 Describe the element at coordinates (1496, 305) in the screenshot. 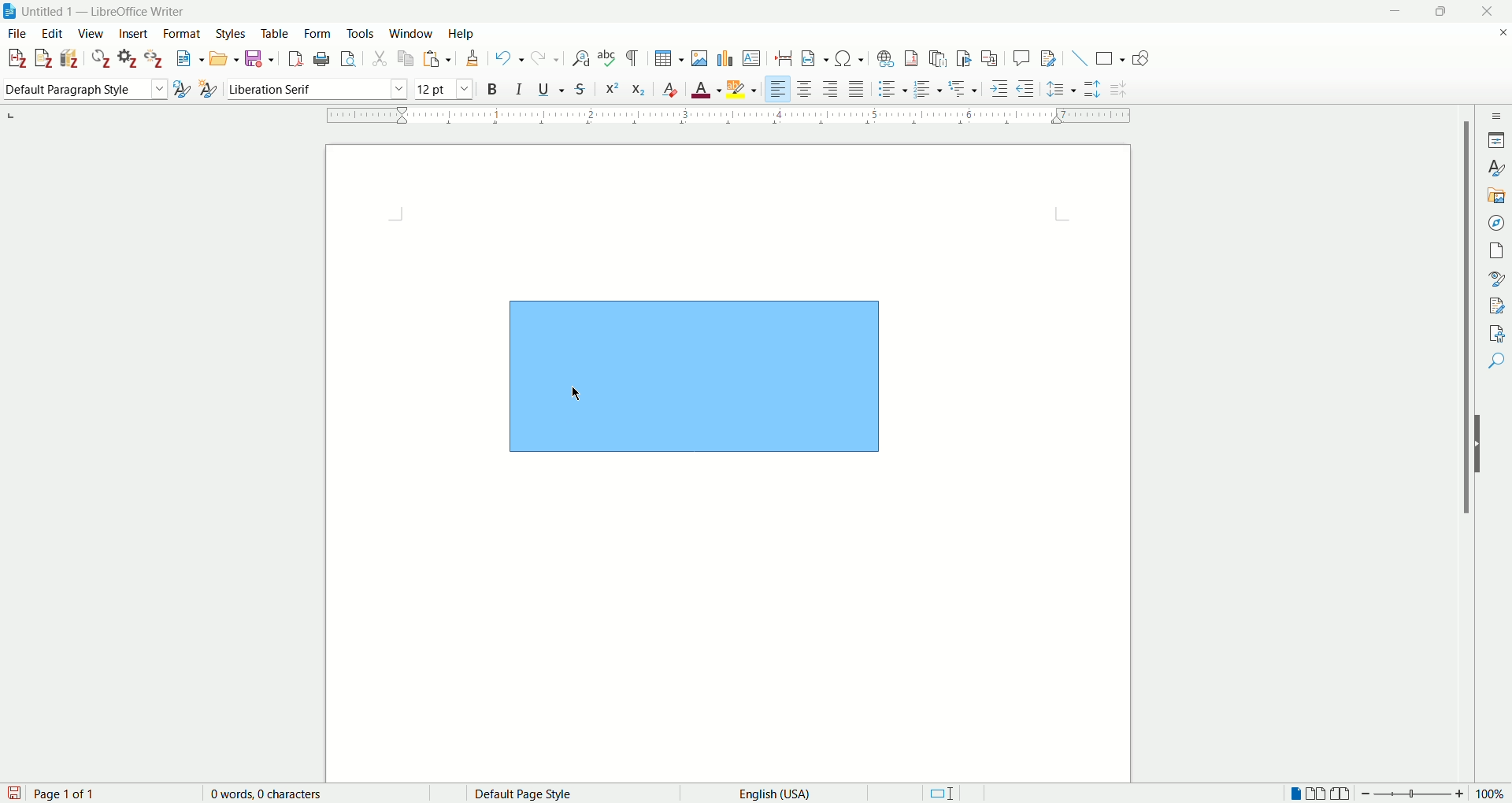

I see `manage changes` at that location.